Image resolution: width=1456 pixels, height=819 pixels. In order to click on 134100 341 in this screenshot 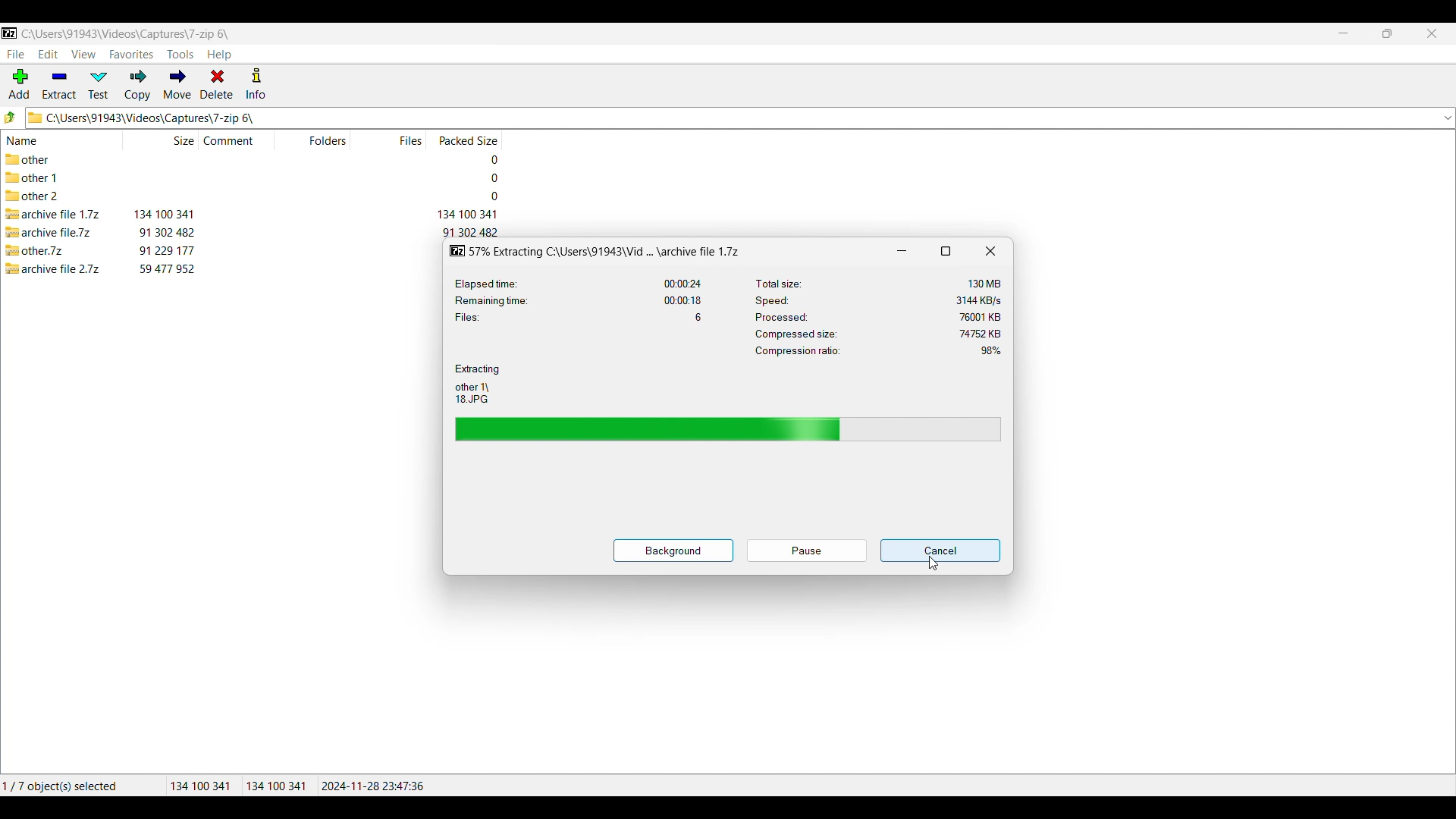, I will do `click(276, 786)`.